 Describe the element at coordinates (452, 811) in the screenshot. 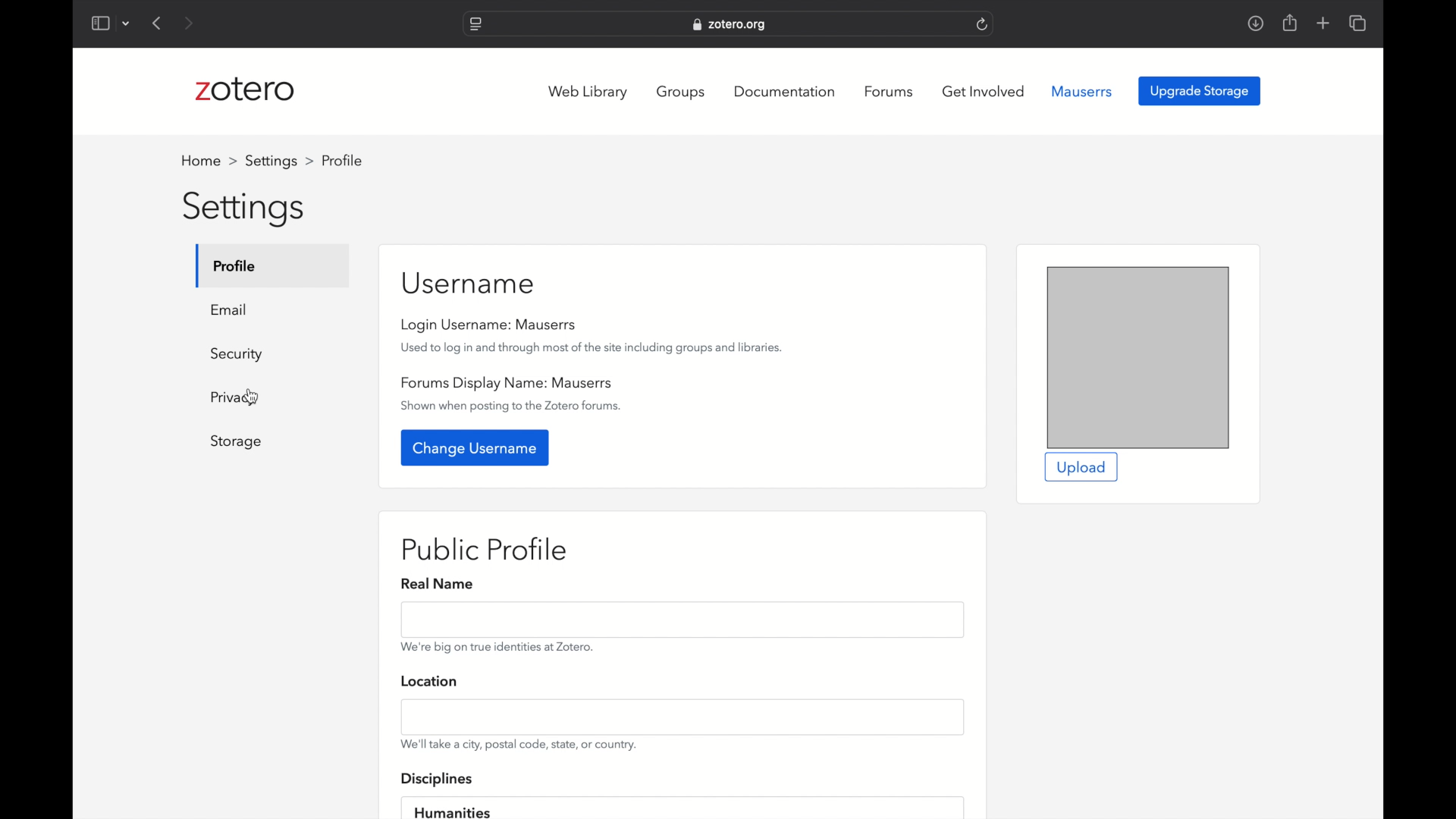

I see `humanities` at that location.